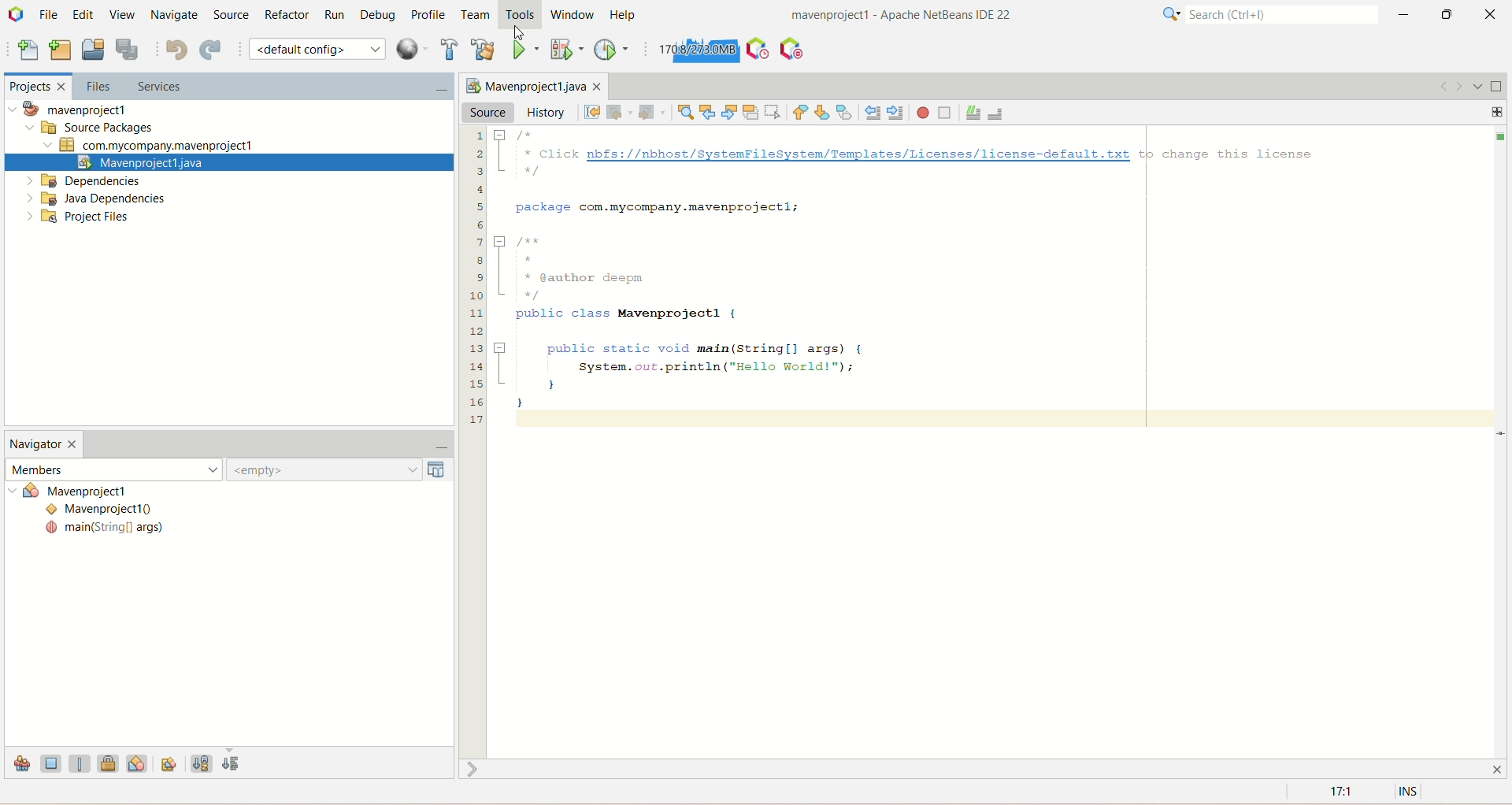 The height and width of the screenshot is (805, 1512). What do you see at coordinates (475, 769) in the screenshot?
I see `shrink` at bounding box center [475, 769].